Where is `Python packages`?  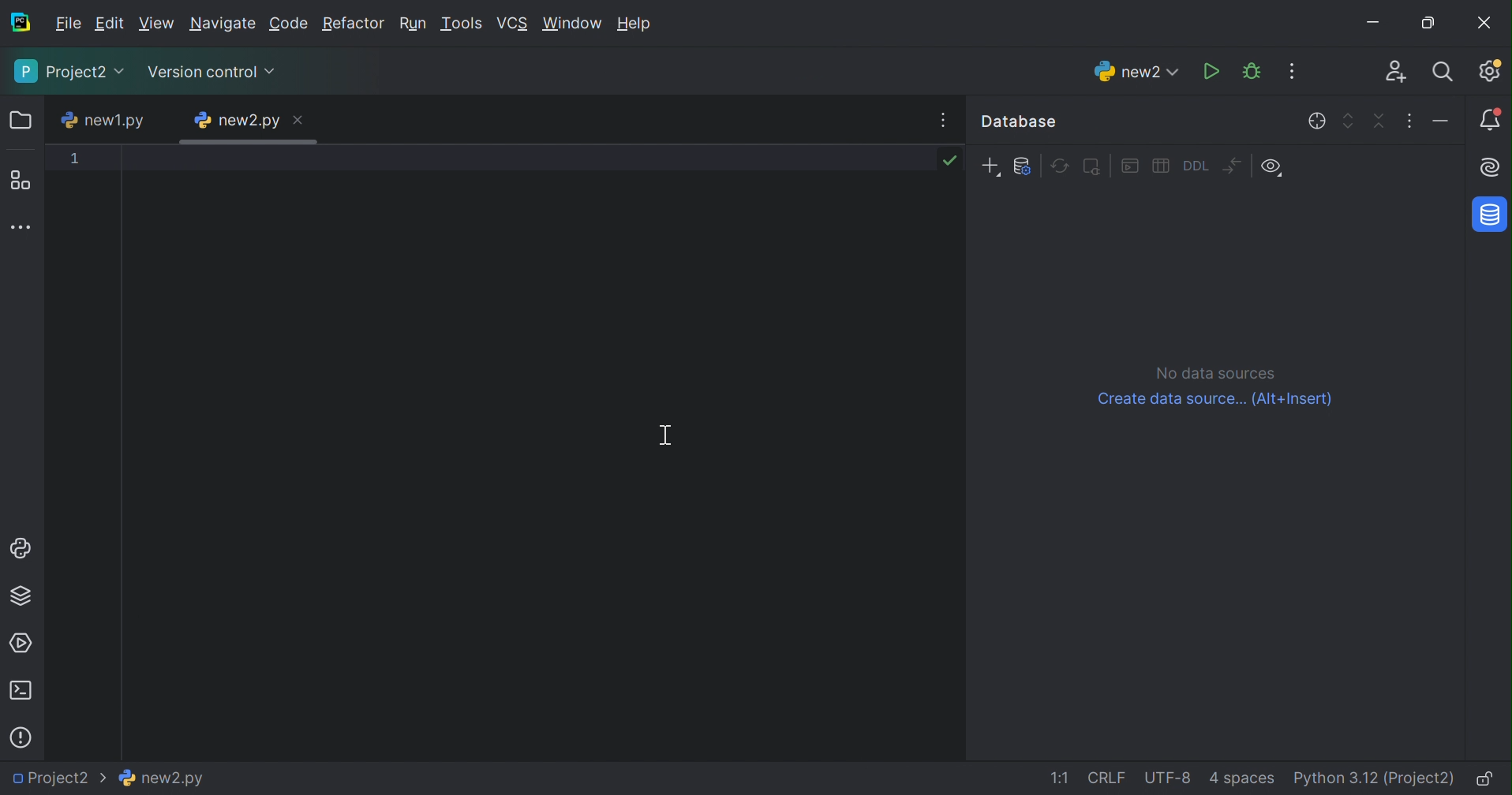
Python packages is located at coordinates (20, 595).